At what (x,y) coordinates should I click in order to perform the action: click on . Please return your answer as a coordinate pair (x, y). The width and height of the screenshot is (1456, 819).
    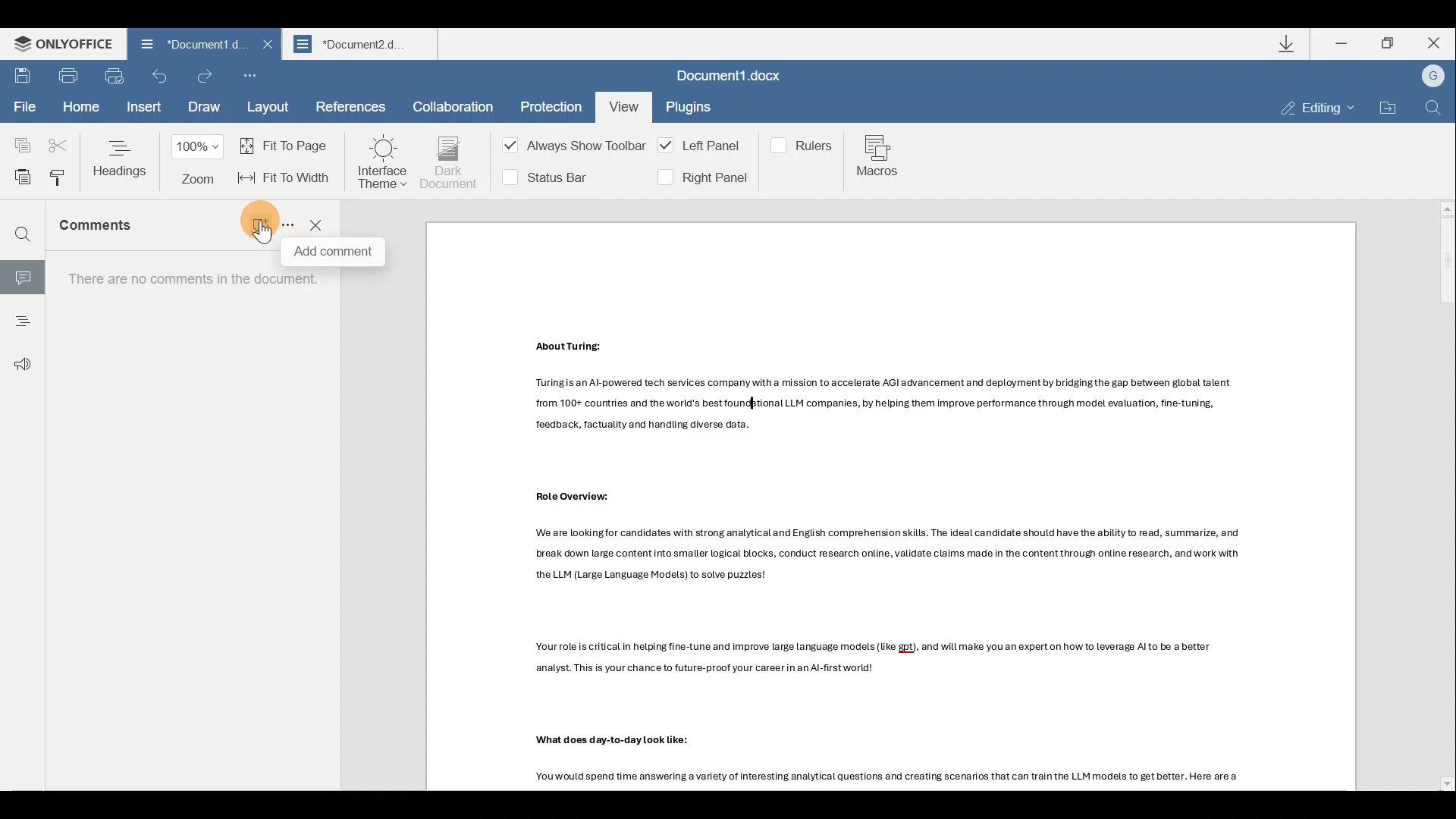
    Looking at the image, I should click on (885, 404).